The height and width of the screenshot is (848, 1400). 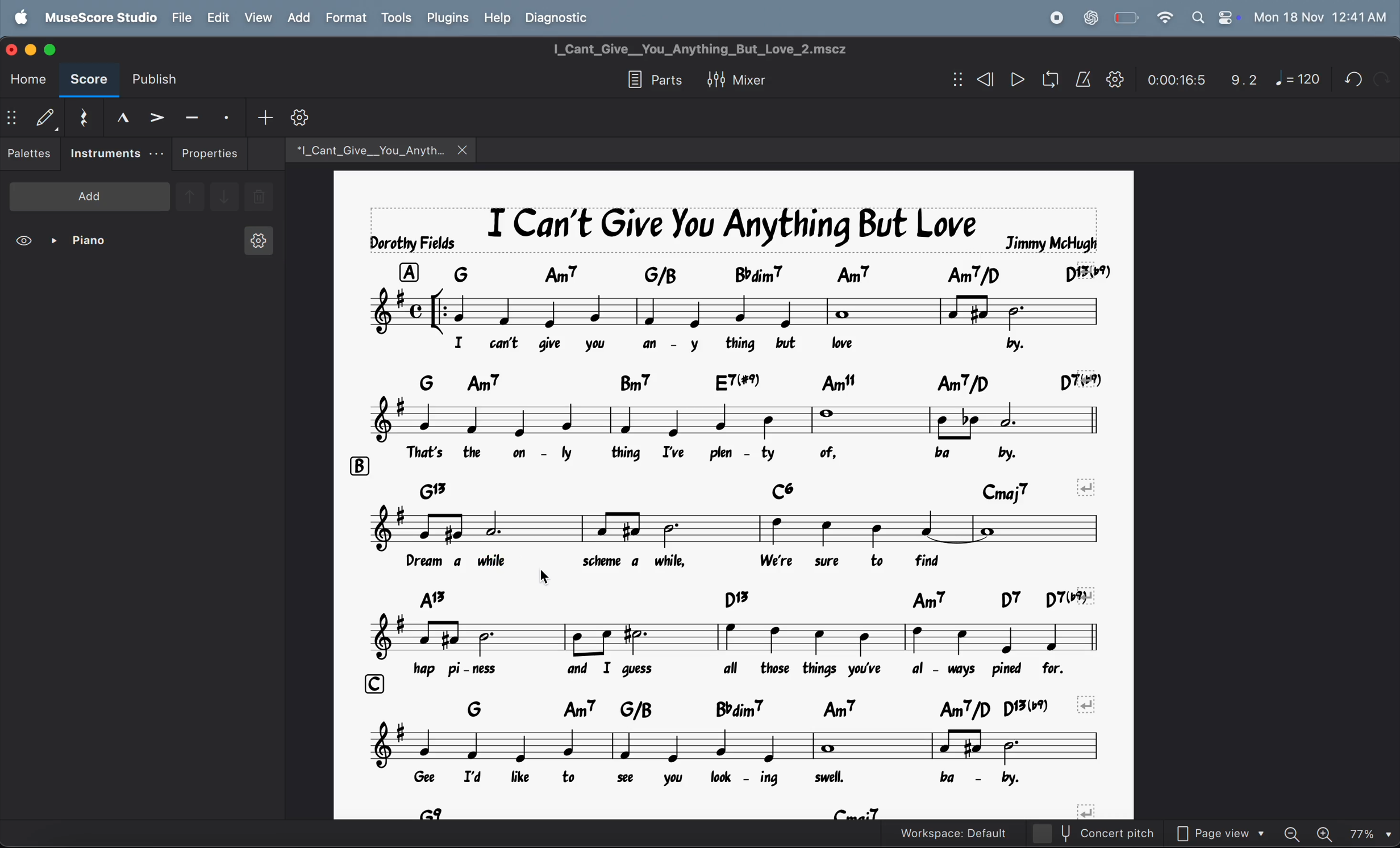 What do you see at coordinates (153, 80) in the screenshot?
I see `publish` at bounding box center [153, 80].